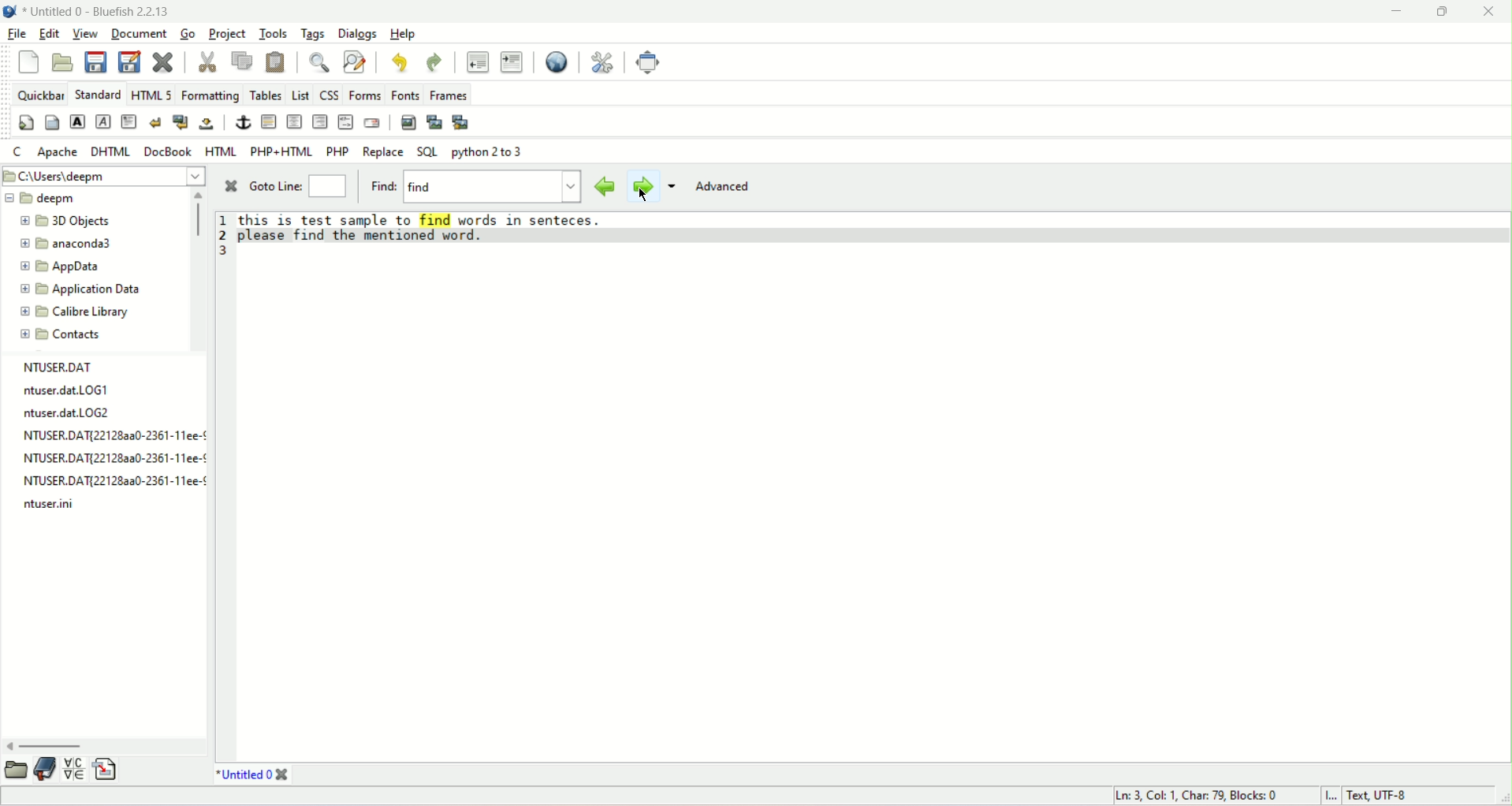  I want to click on edit preferences, so click(599, 62).